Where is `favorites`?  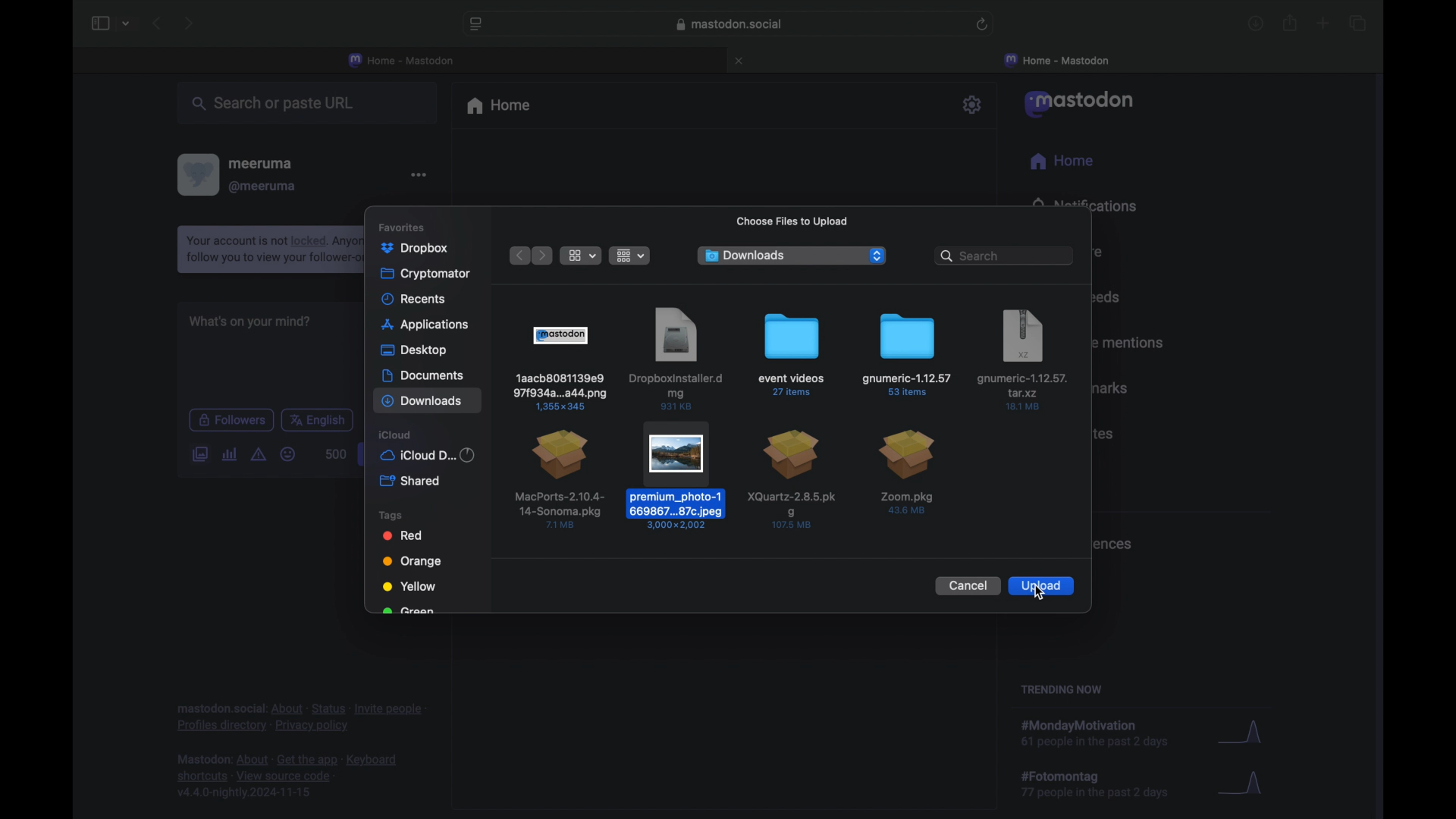 favorites is located at coordinates (416, 224).